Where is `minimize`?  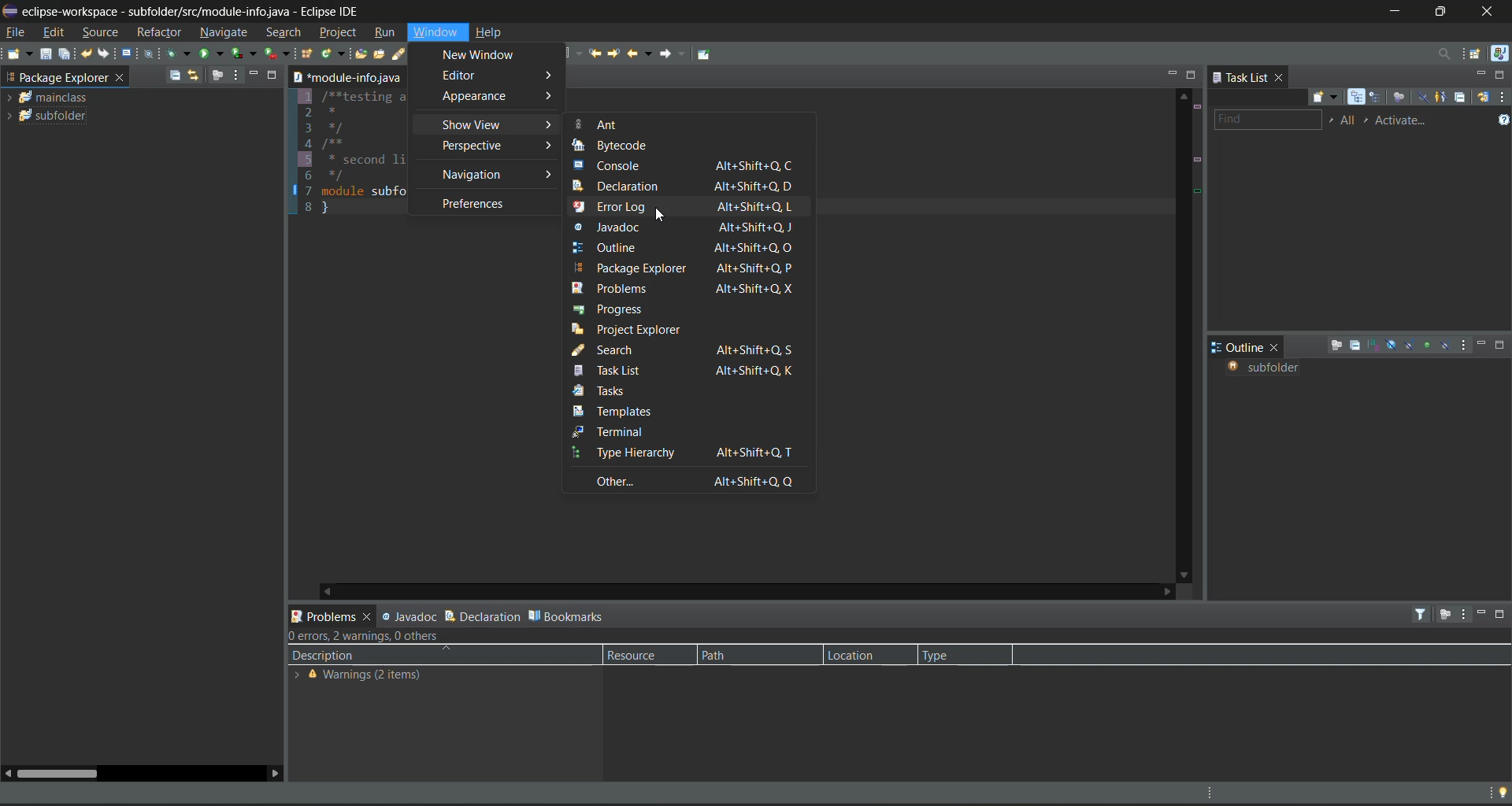 minimize is located at coordinates (1172, 74).